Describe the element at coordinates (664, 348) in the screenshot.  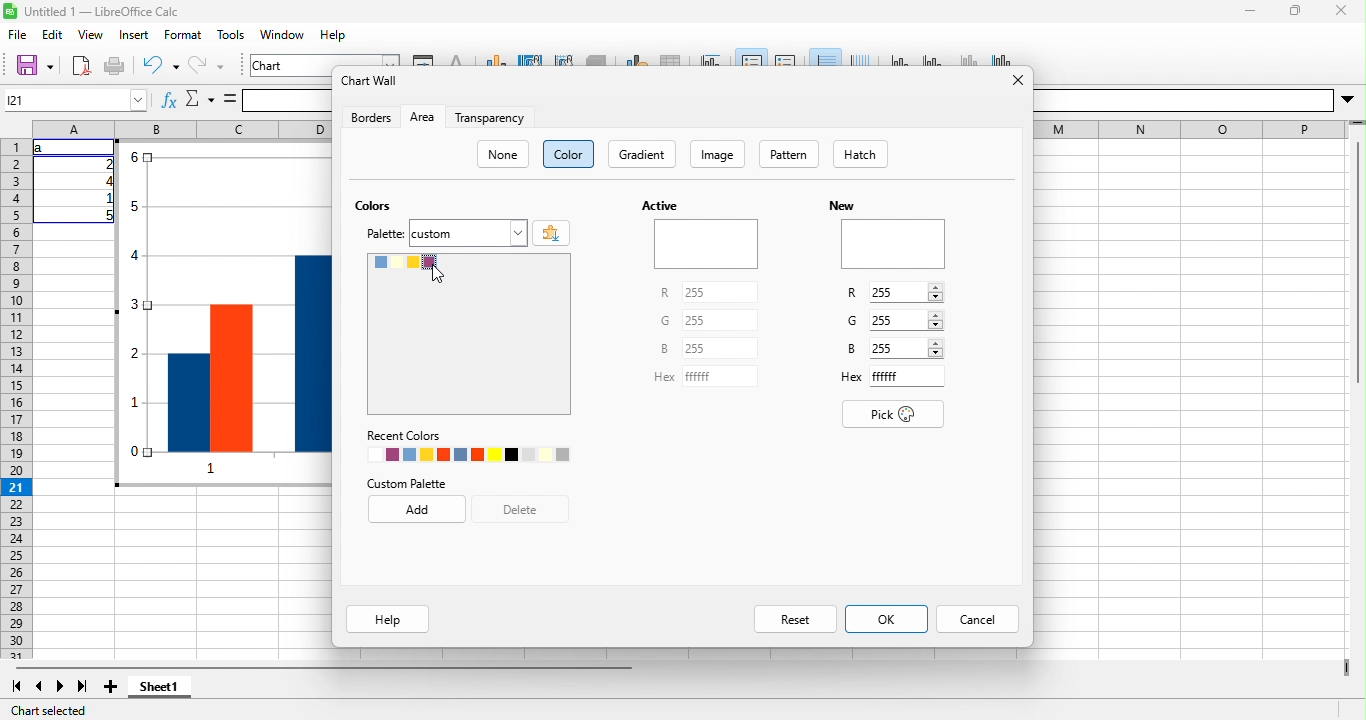
I see `B` at that location.